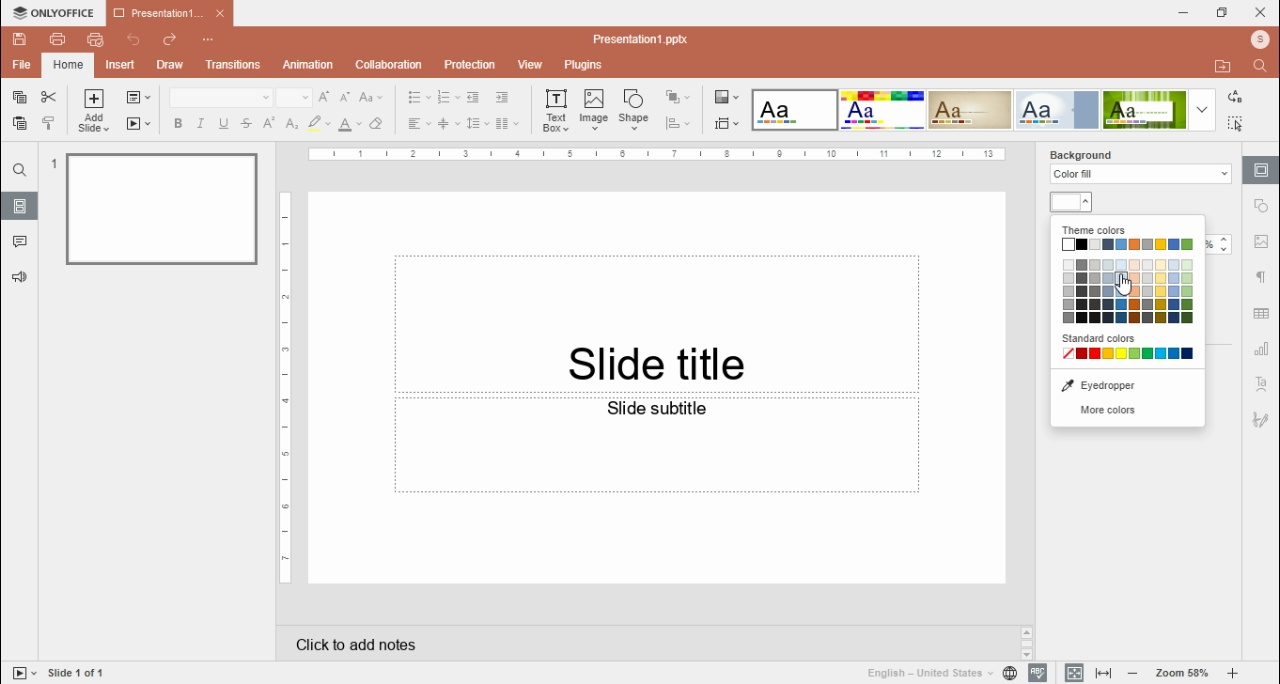 The height and width of the screenshot is (684, 1280). Describe the element at coordinates (138, 97) in the screenshot. I see `change slide layout` at that location.